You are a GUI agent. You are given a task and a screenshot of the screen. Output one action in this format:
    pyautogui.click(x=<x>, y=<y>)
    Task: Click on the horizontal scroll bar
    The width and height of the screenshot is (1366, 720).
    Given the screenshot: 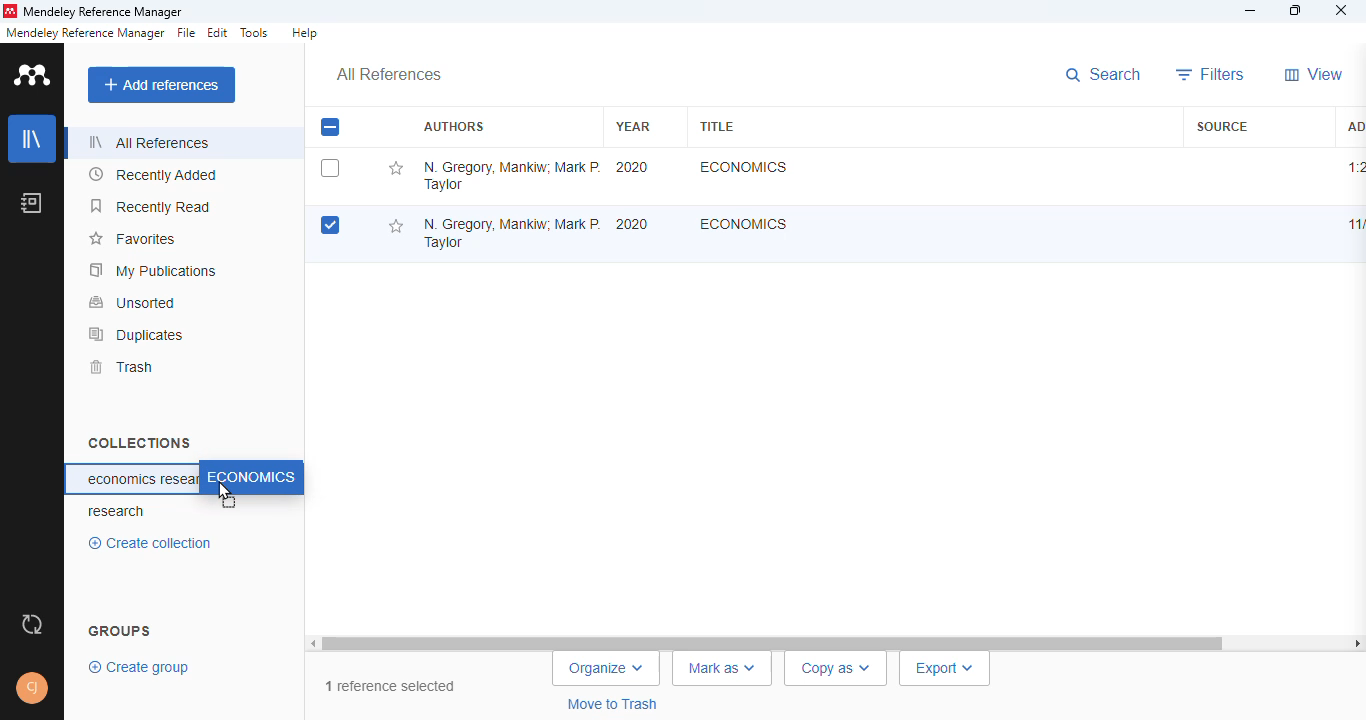 What is the action you would take?
    pyautogui.click(x=836, y=642)
    